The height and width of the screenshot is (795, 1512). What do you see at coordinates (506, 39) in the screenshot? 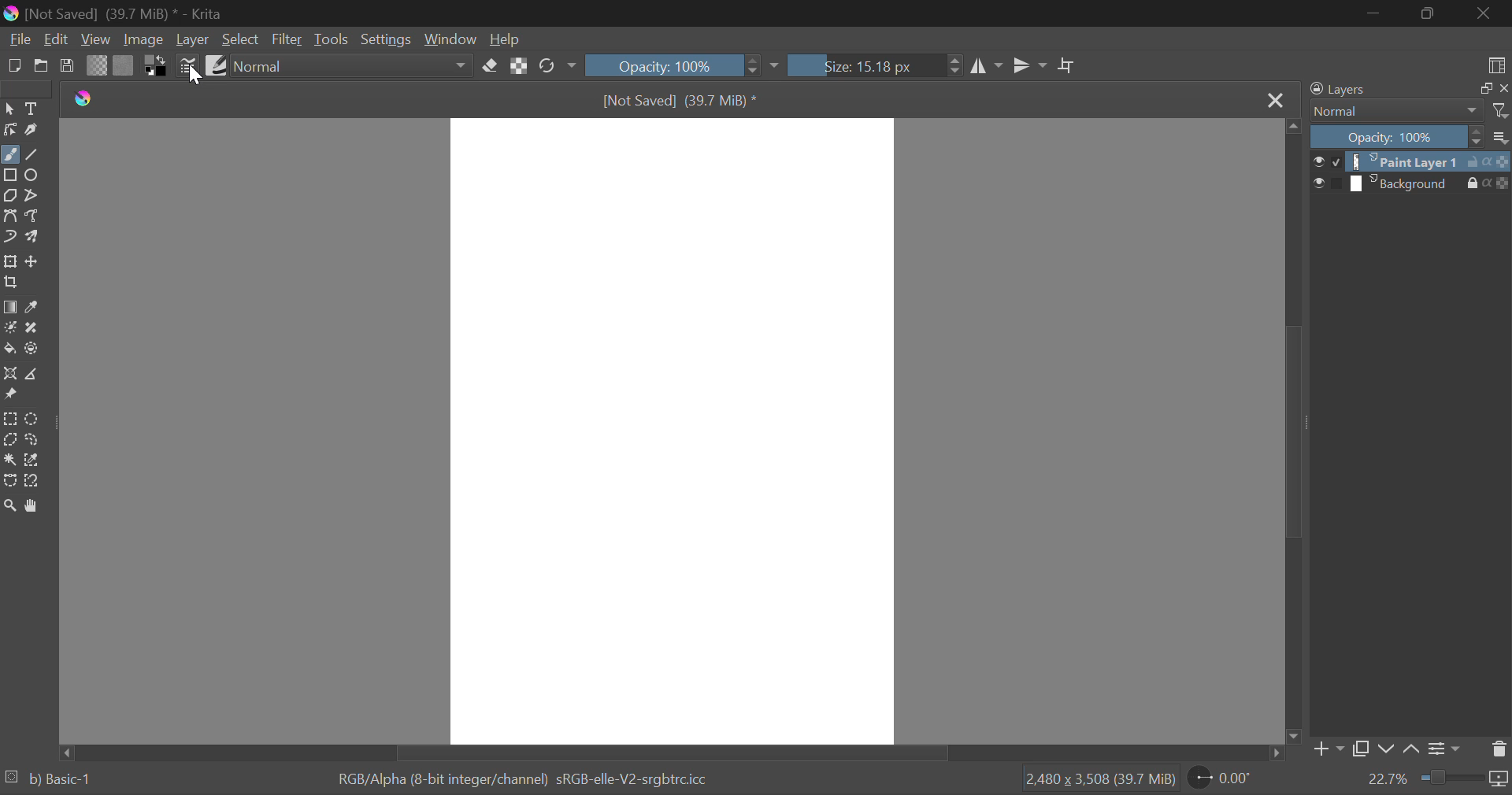
I see `Help` at bounding box center [506, 39].